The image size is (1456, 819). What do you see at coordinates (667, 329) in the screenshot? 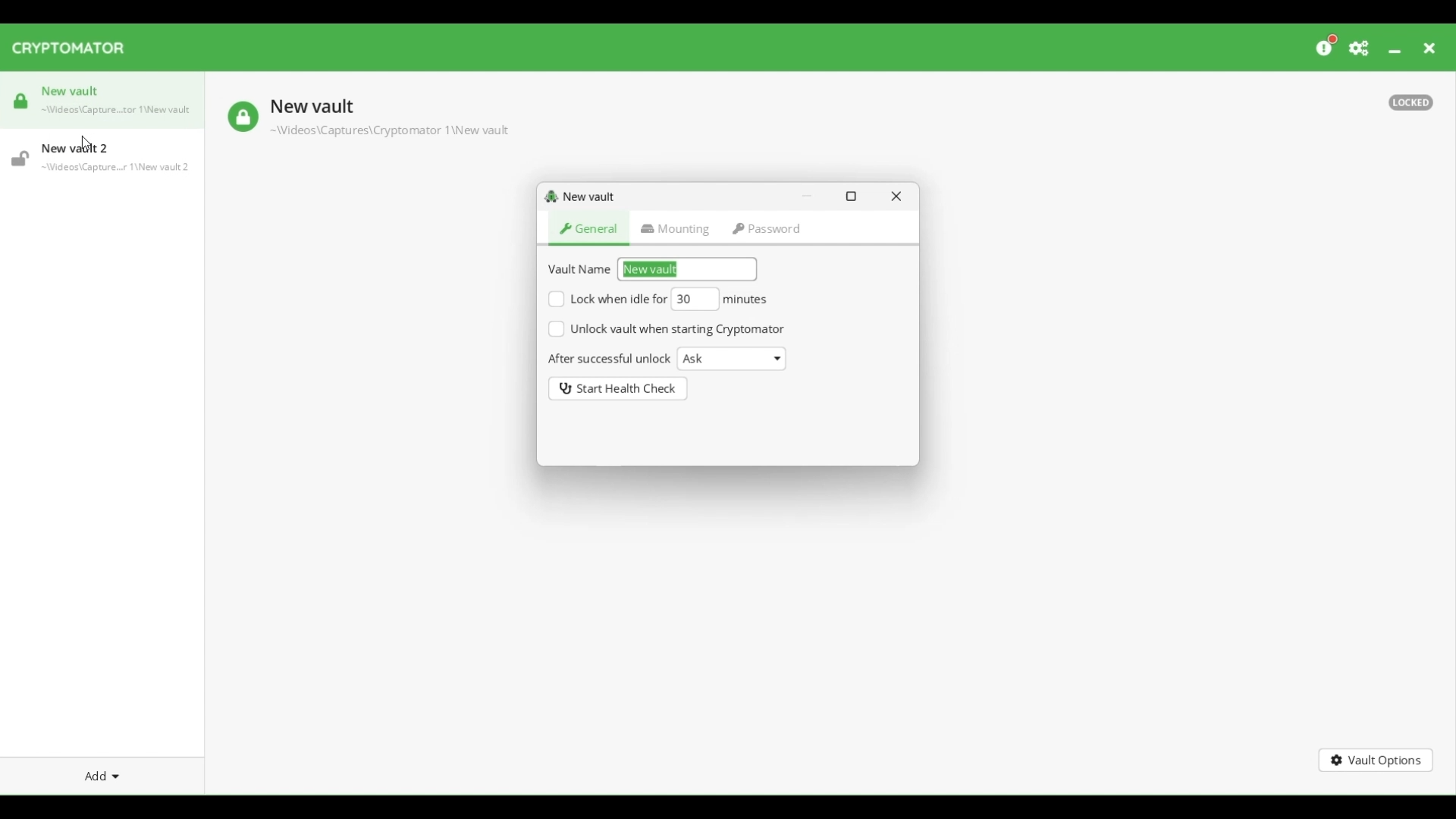
I see `Select unlock vault when starting Cryptomator` at bounding box center [667, 329].